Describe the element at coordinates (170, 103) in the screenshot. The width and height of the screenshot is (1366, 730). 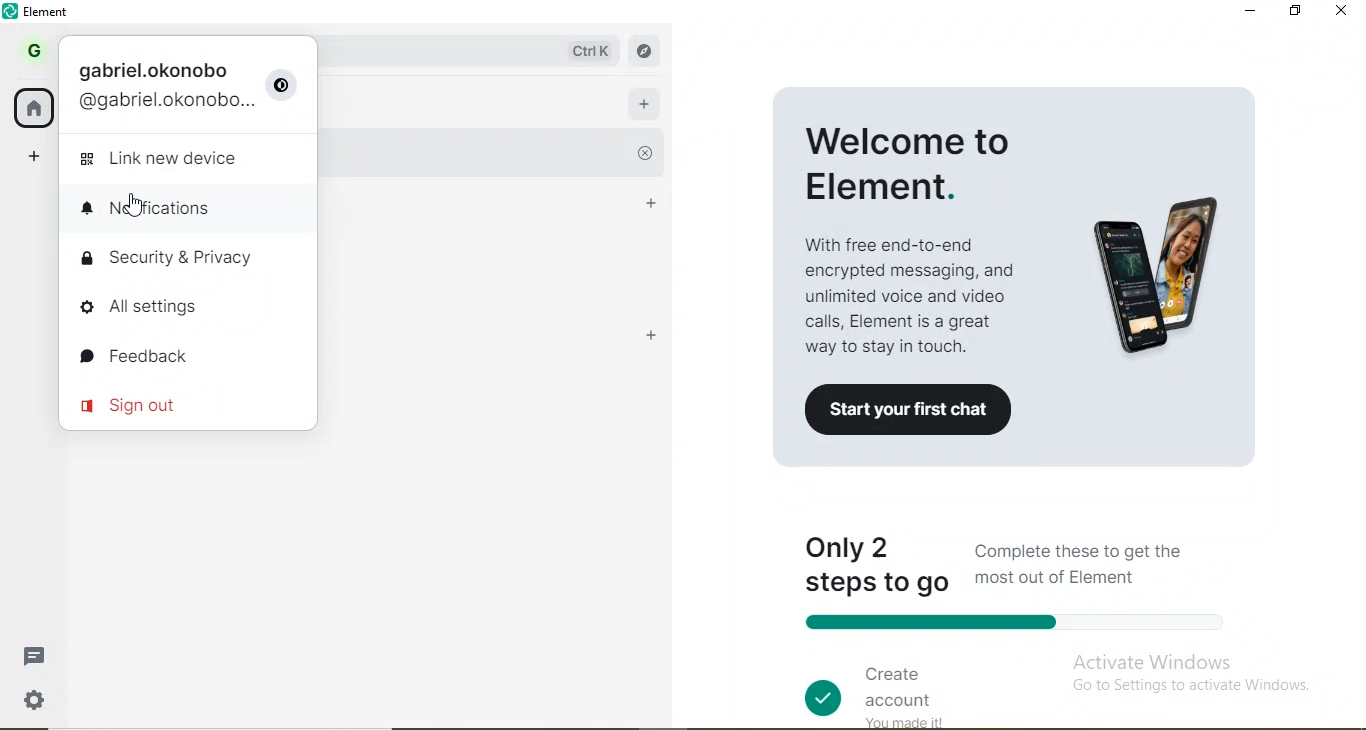
I see `email` at that location.